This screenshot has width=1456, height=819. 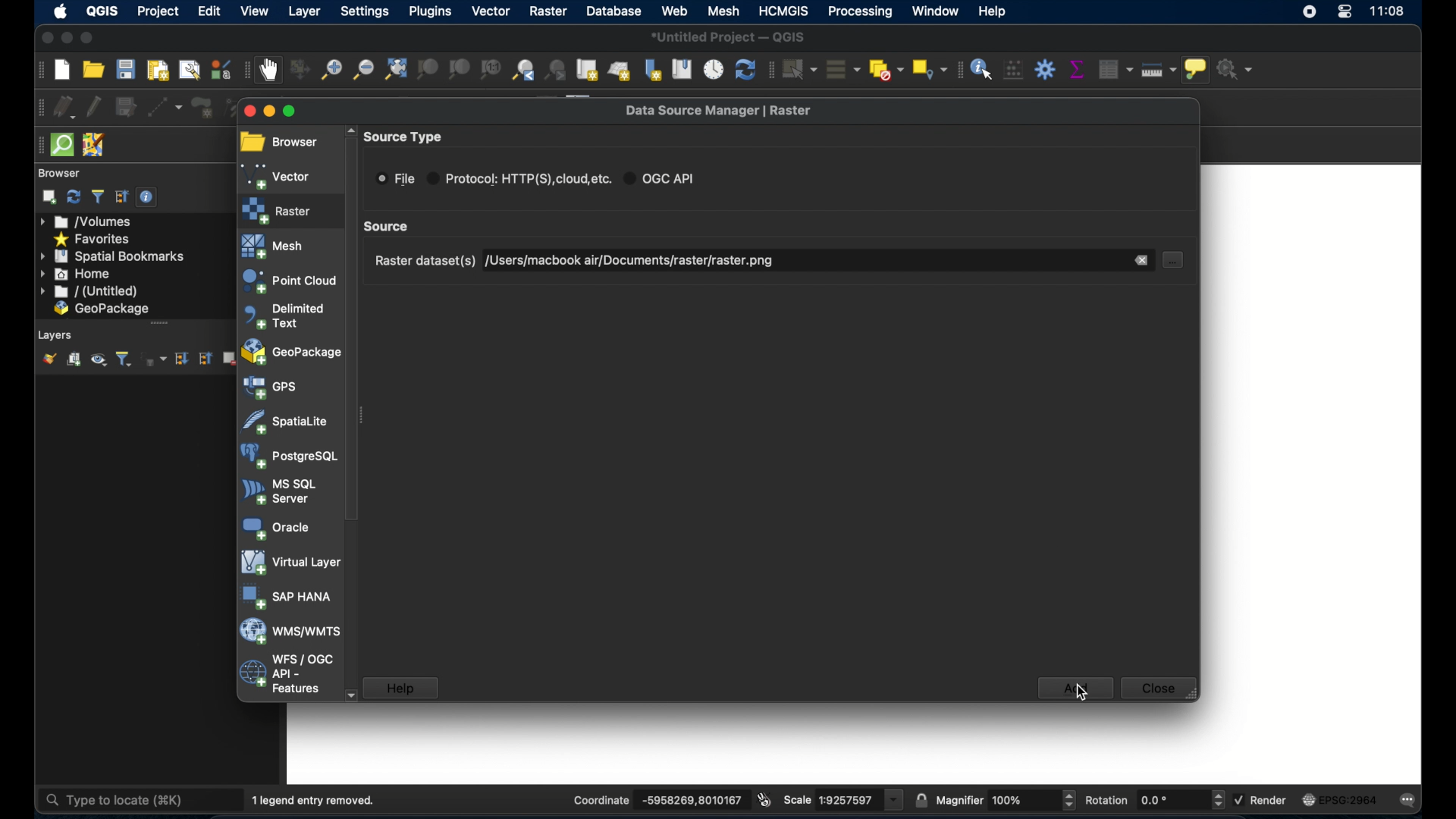 I want to click on zoom last, so click(x=524, y=69).